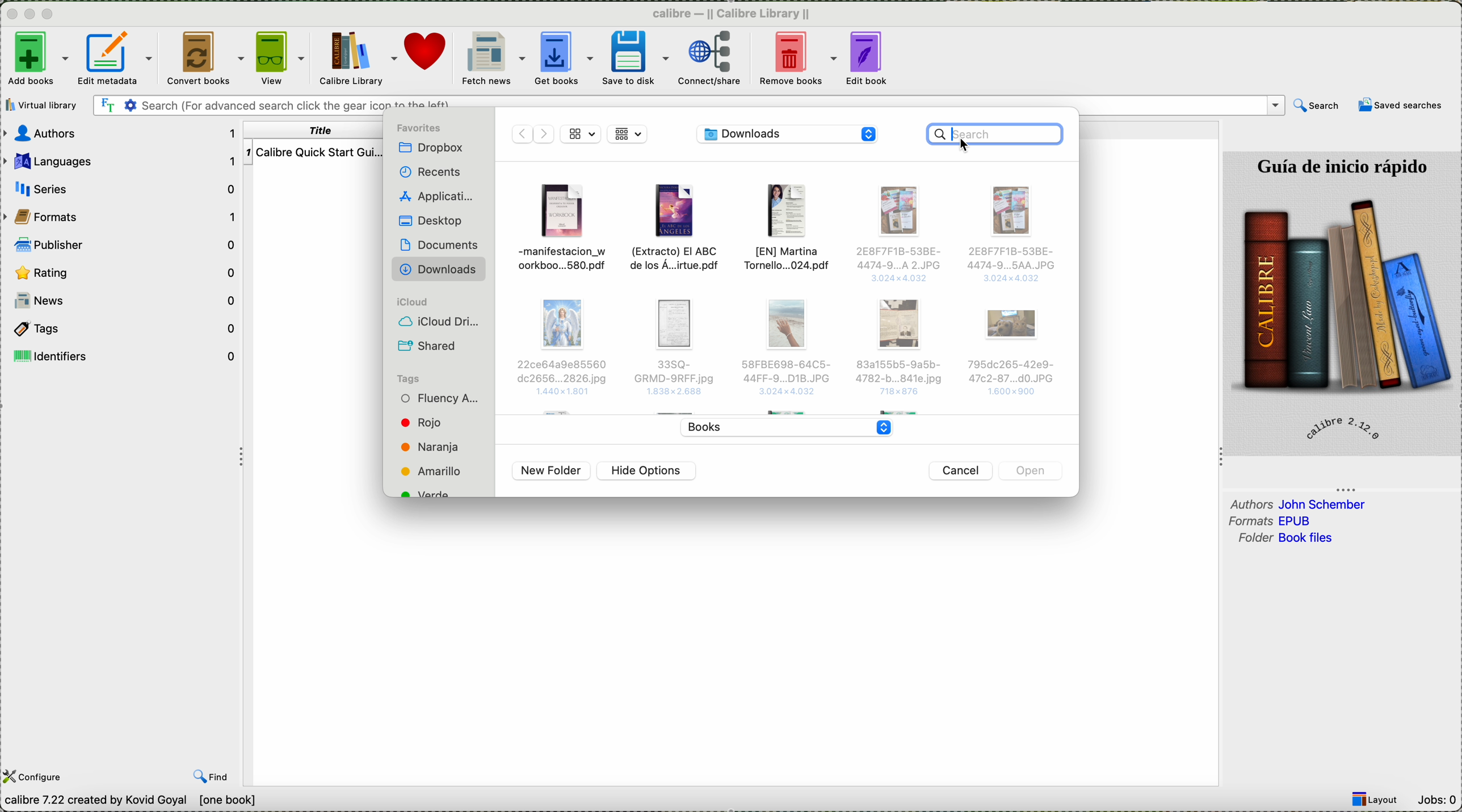 Image resolution: width=1462 pixels, height=812 pixels. Describe the element at coordinates (177, 801) in the screenshot. I see `data` at that location.